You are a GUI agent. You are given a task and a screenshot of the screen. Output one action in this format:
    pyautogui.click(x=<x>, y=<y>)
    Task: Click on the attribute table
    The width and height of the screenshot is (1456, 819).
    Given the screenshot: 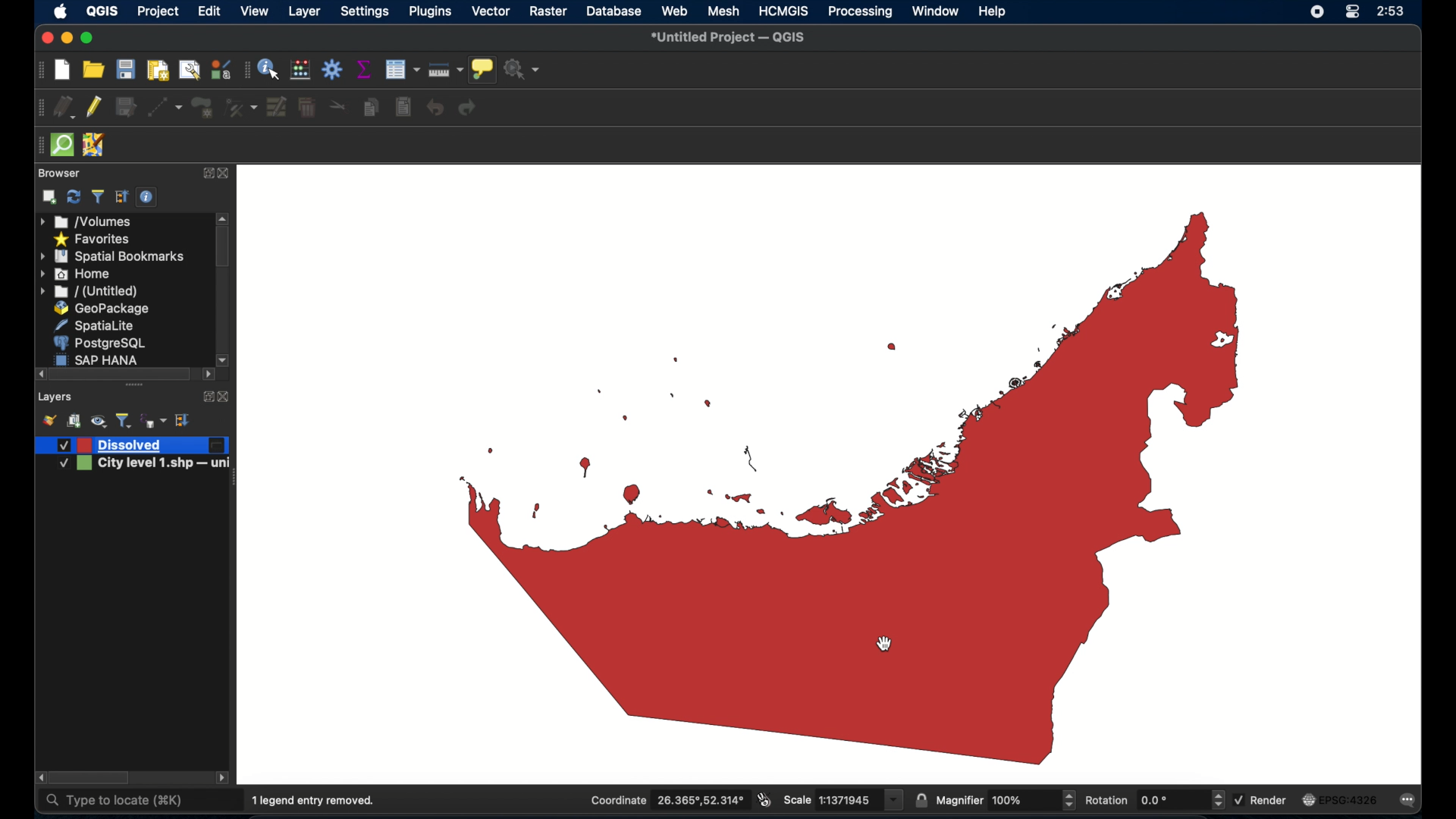 What is the action you would take?
    pyautogui.click(x=246, y=71)
    